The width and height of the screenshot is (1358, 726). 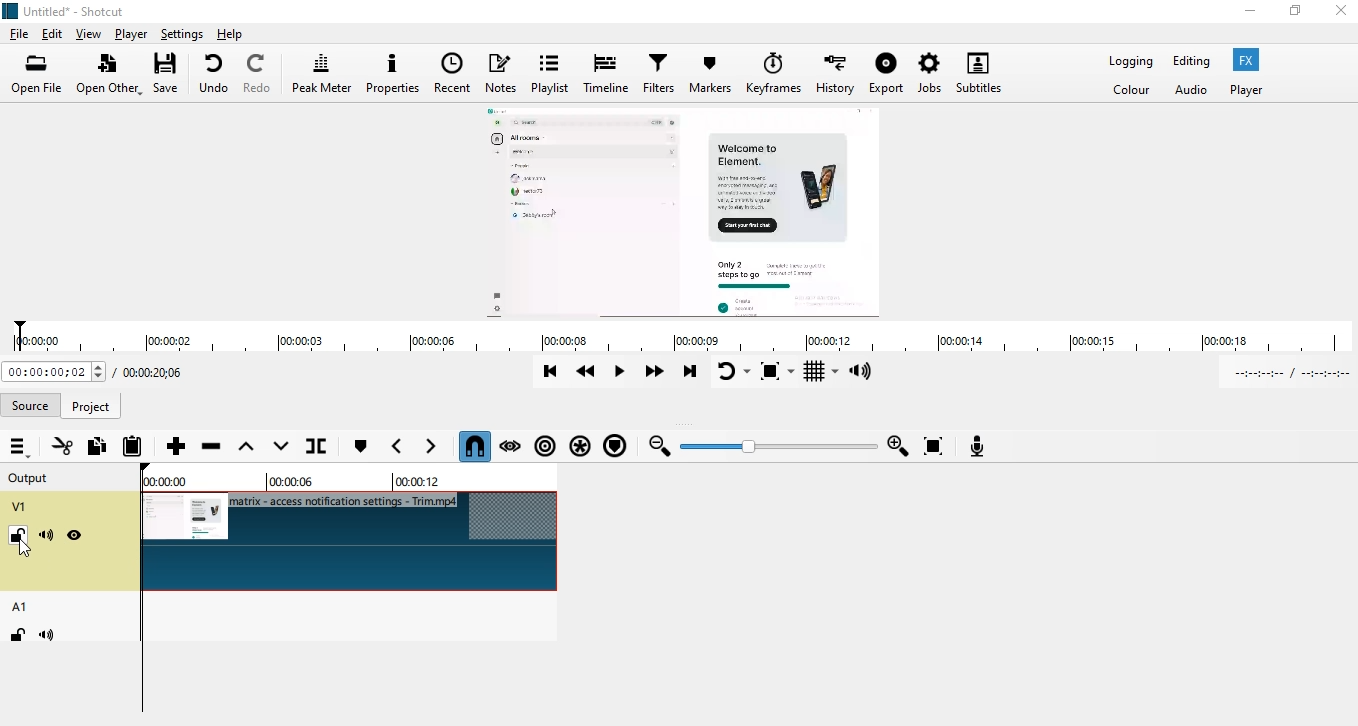 I want to click on project, so click(x=91, y=406).